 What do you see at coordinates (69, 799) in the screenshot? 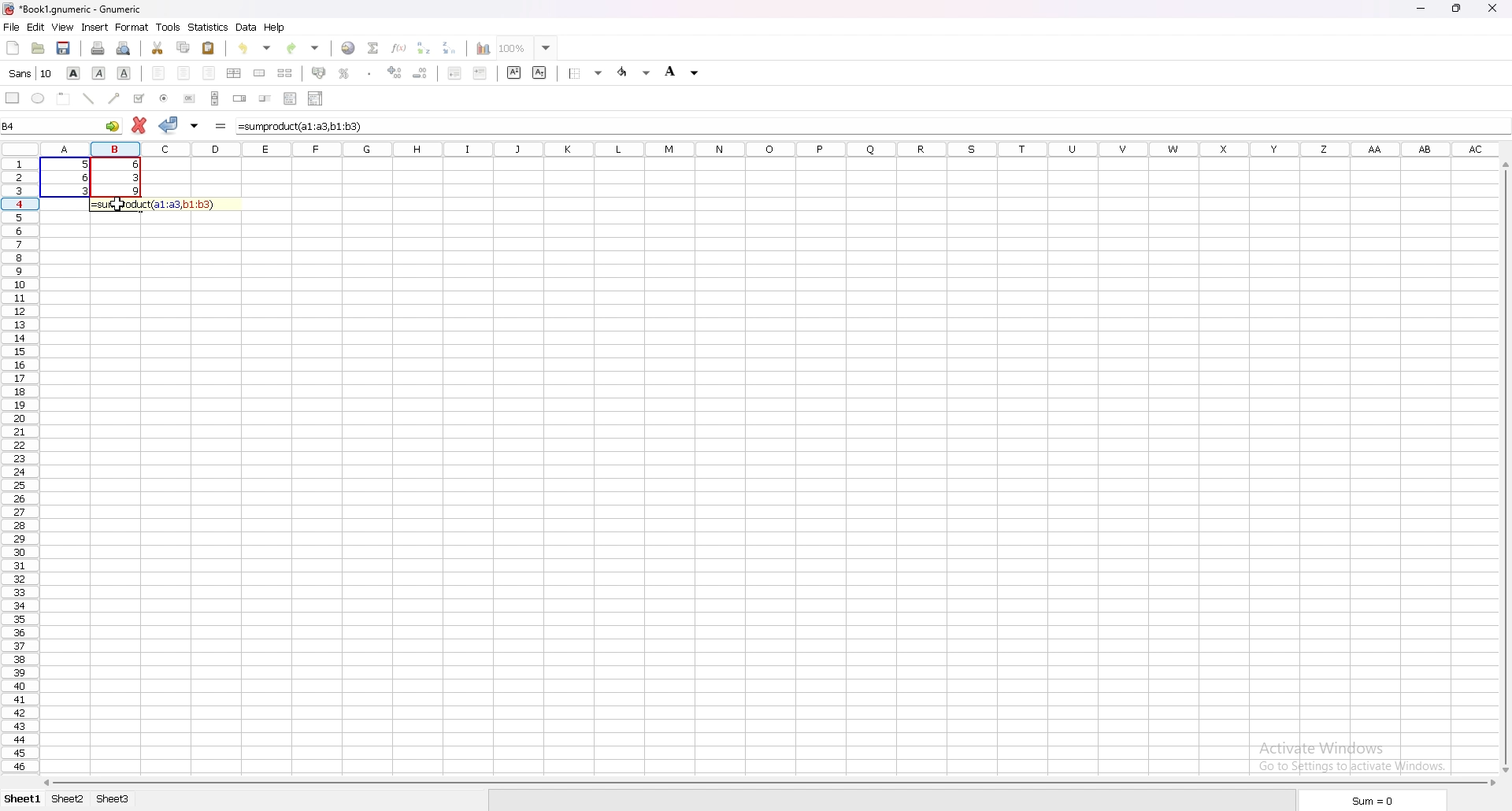
I see `sheet` at bounding box center [69, 799].